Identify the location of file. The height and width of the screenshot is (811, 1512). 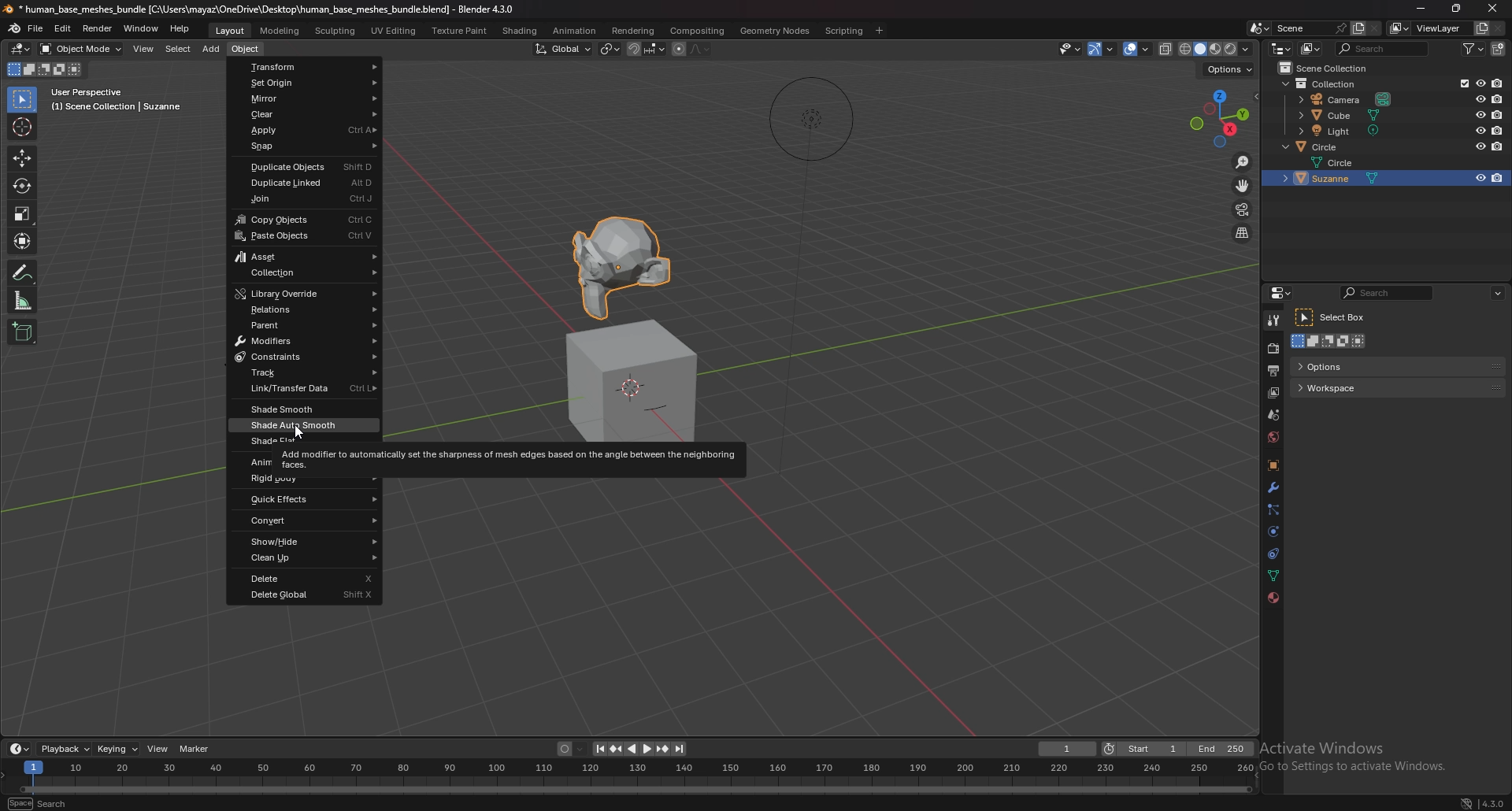
(36, 29).